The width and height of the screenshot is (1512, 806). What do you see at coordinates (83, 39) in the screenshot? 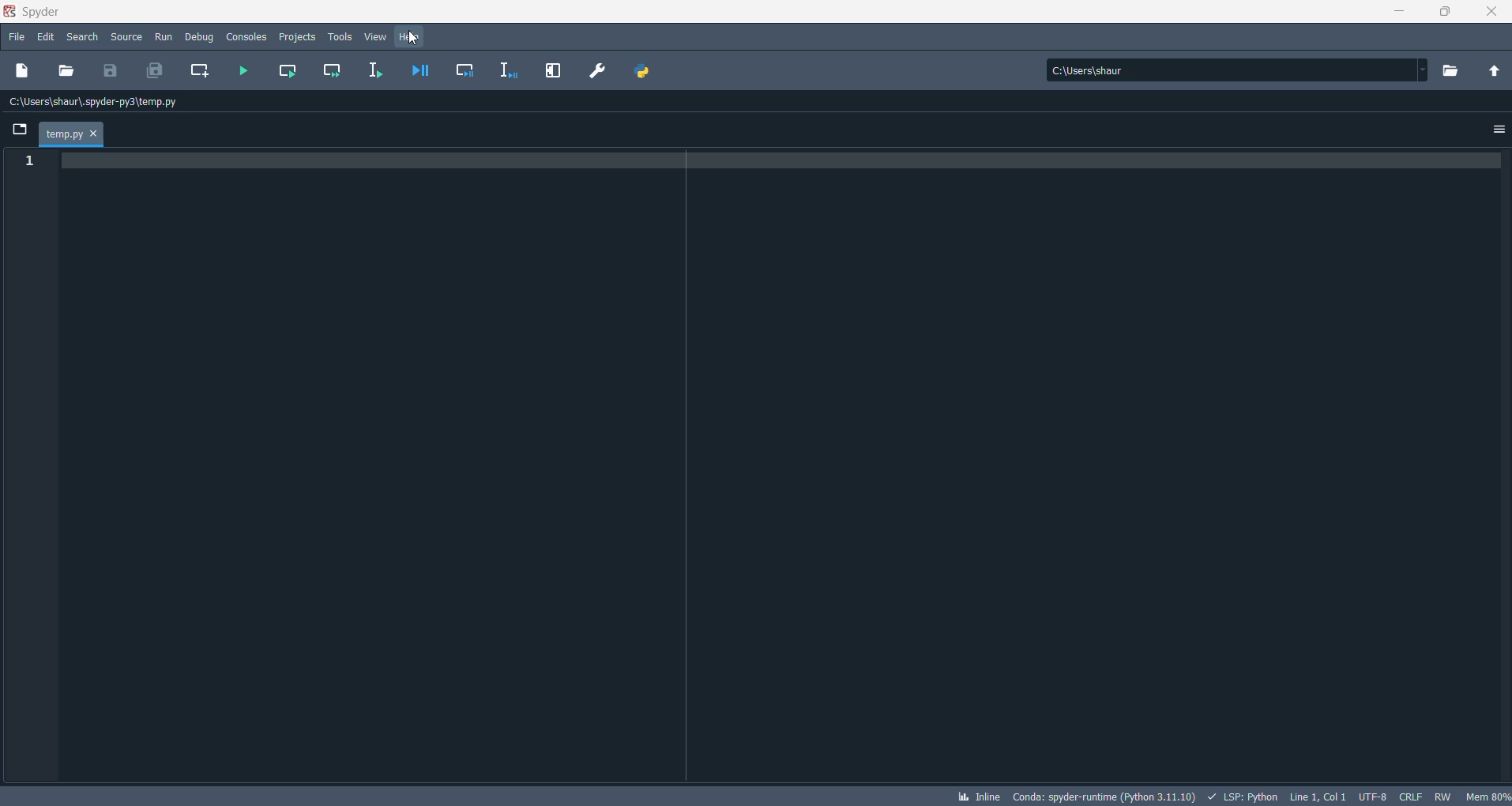
I see `search` at bounding box center [83, 39].